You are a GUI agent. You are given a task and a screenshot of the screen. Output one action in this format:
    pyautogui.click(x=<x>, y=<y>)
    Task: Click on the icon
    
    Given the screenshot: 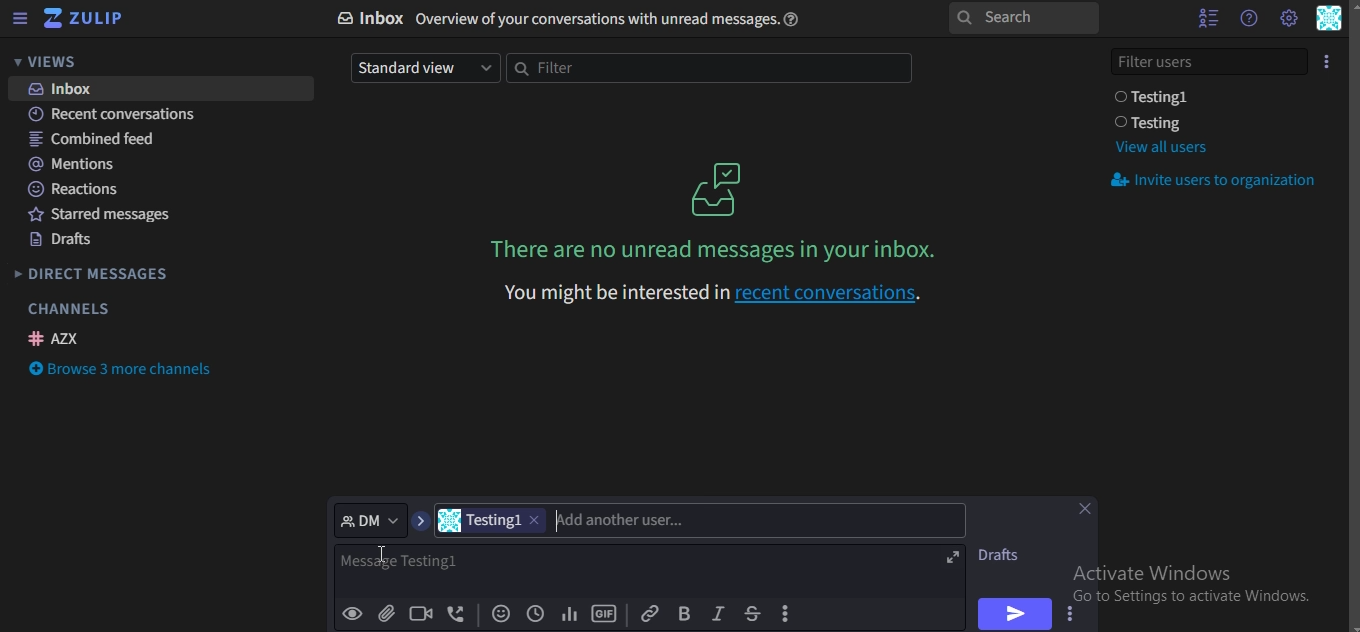 What is the action you would take?
    pyautogui.click(x=719, y=188)
    